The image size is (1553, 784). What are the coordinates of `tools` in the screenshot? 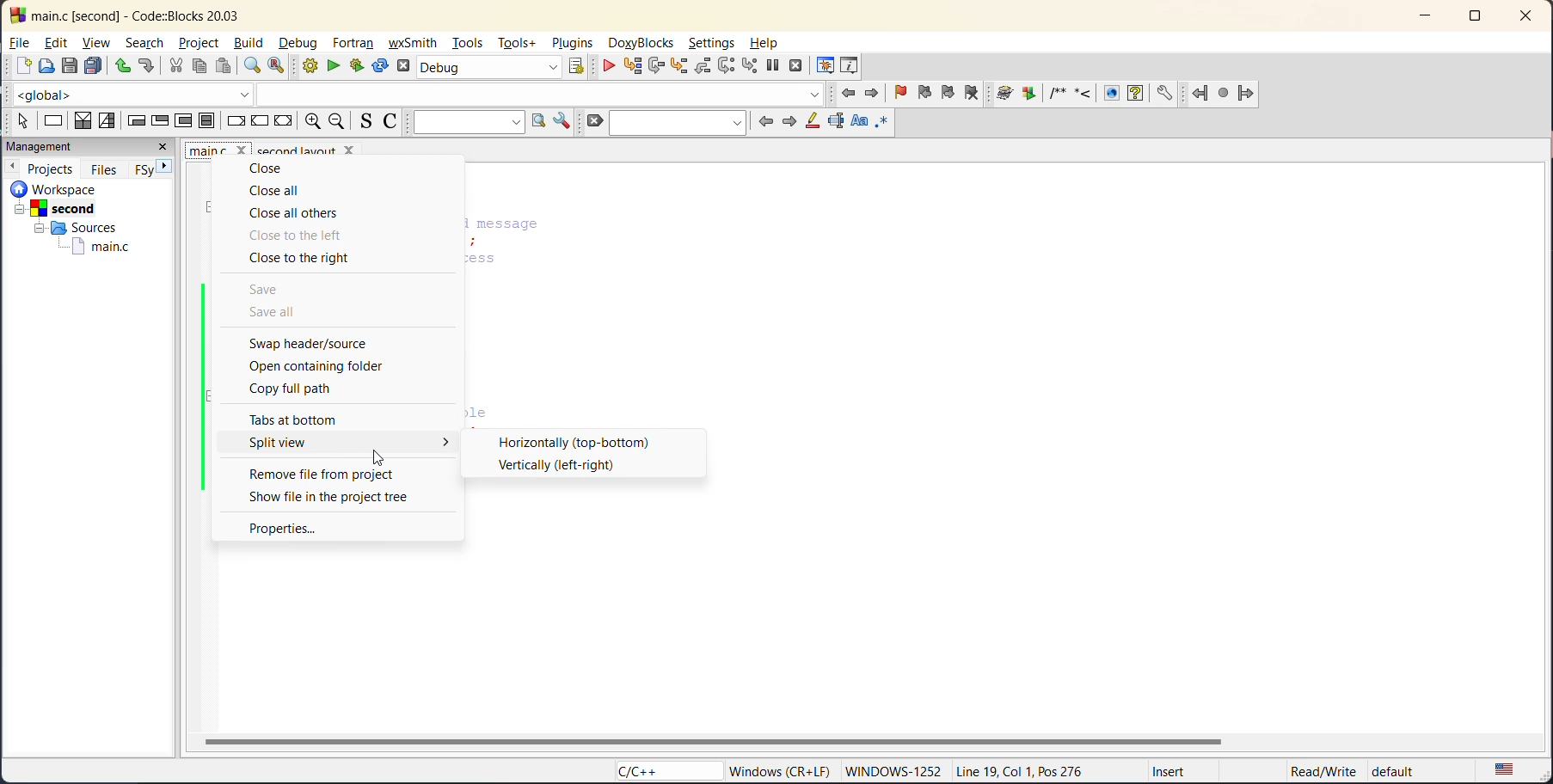 It's located at (468, 43).